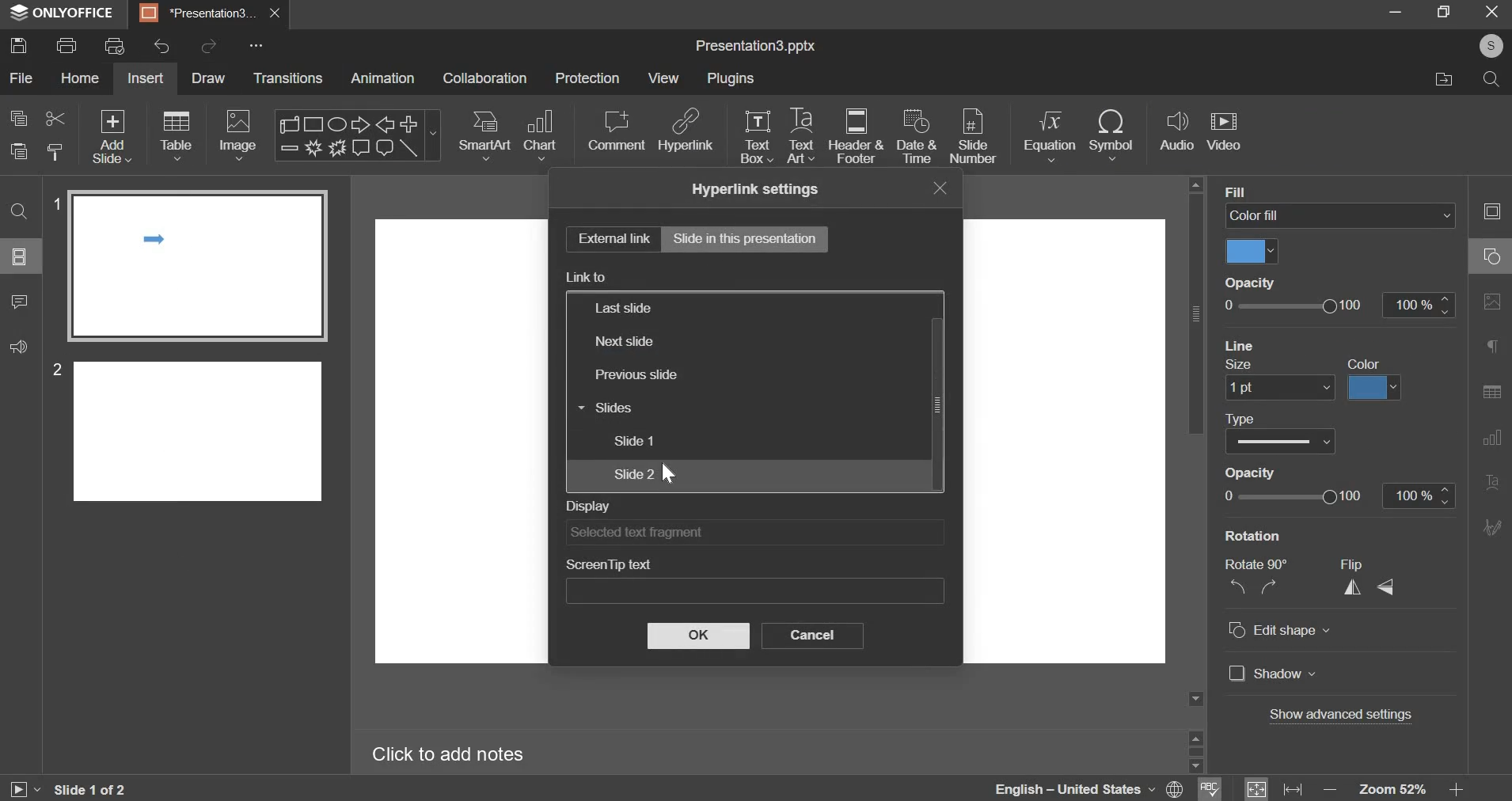 This screenshot has width=1512, height=801. Describe the element at coordinates (161, 46) in the screenshot. I see `undo` at that location.